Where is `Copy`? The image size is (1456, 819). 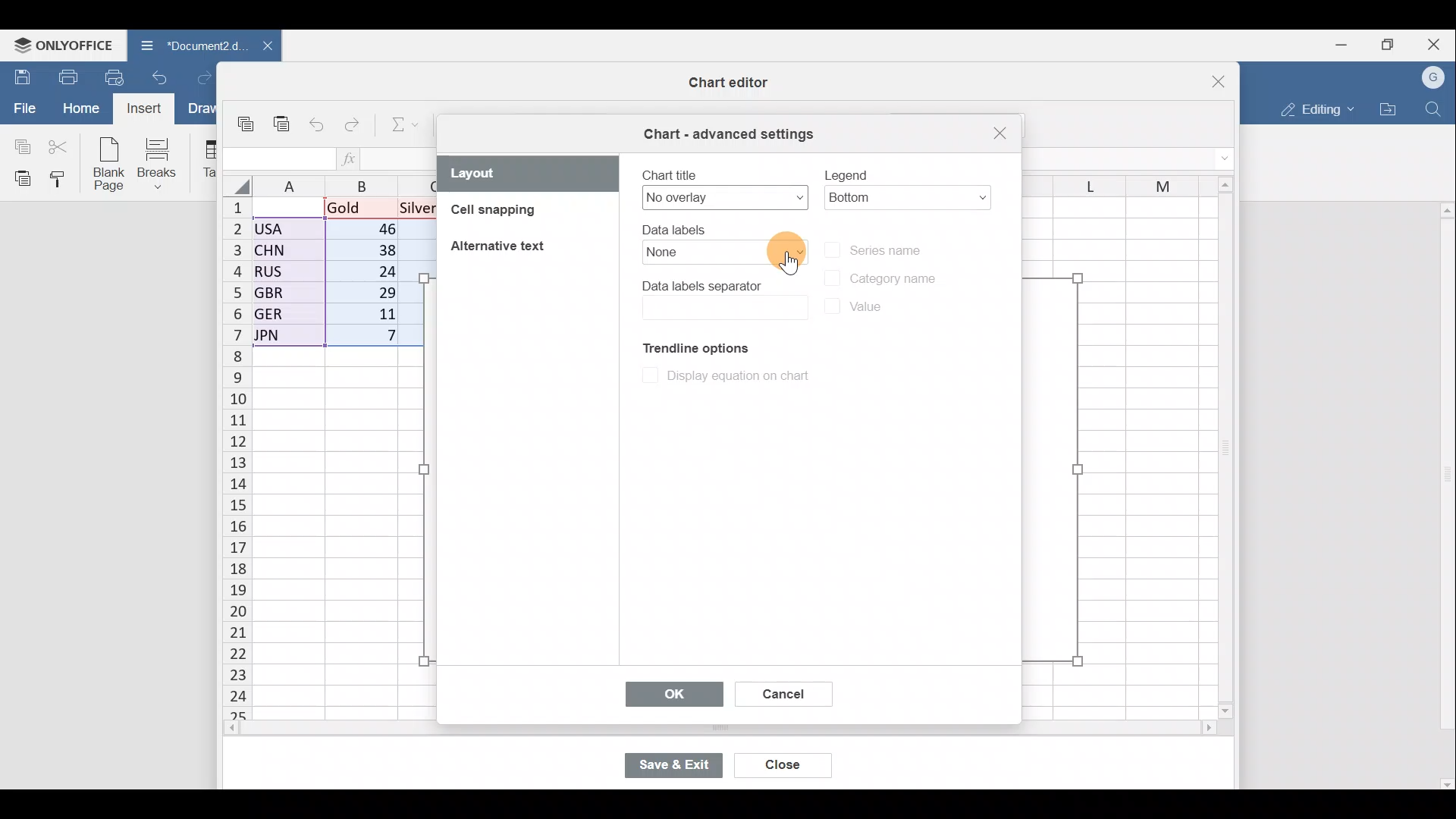 Copy is located at coordinates (19, 144).